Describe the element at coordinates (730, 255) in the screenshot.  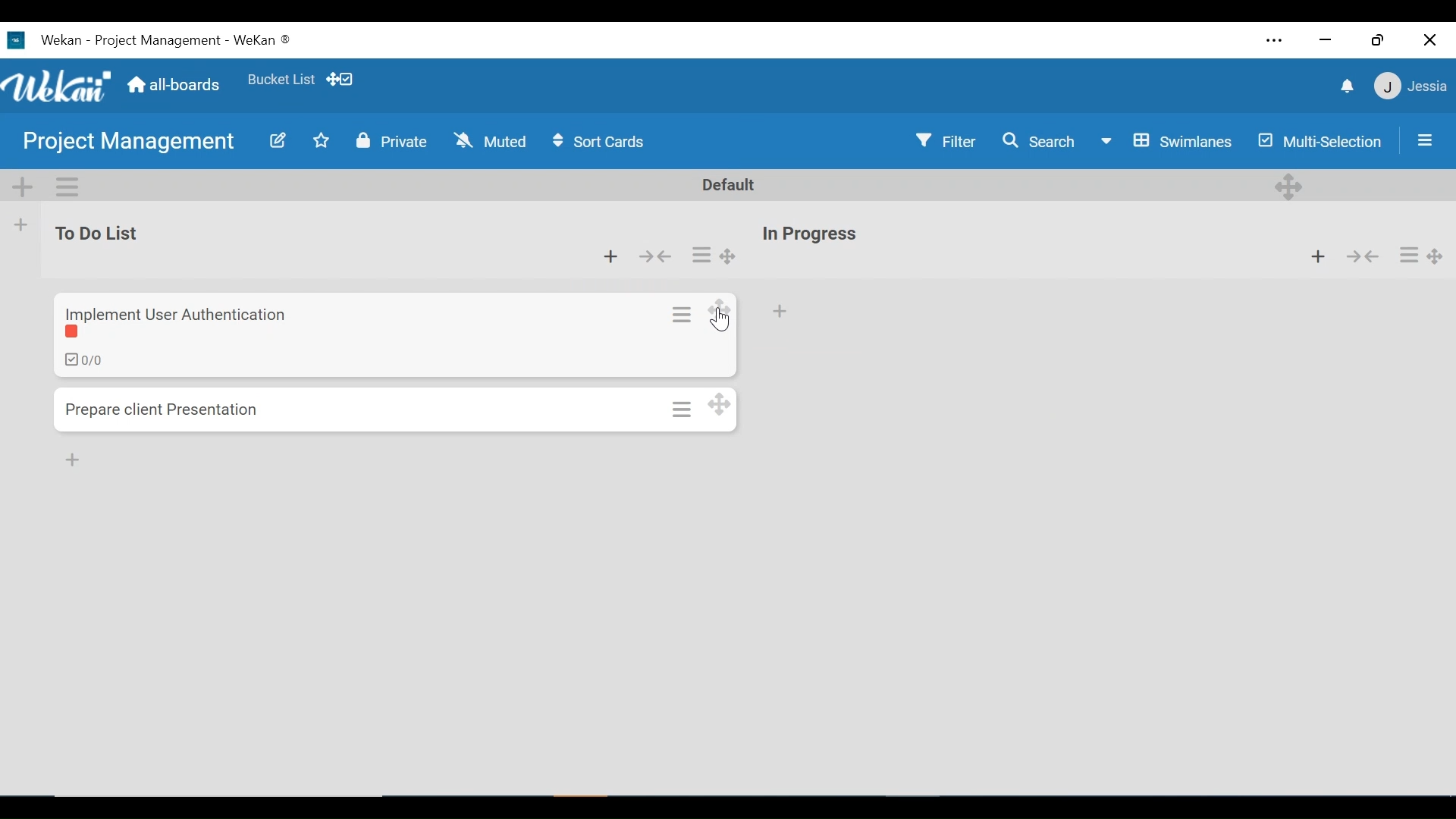
I see `Desktop drag handles` at that location.